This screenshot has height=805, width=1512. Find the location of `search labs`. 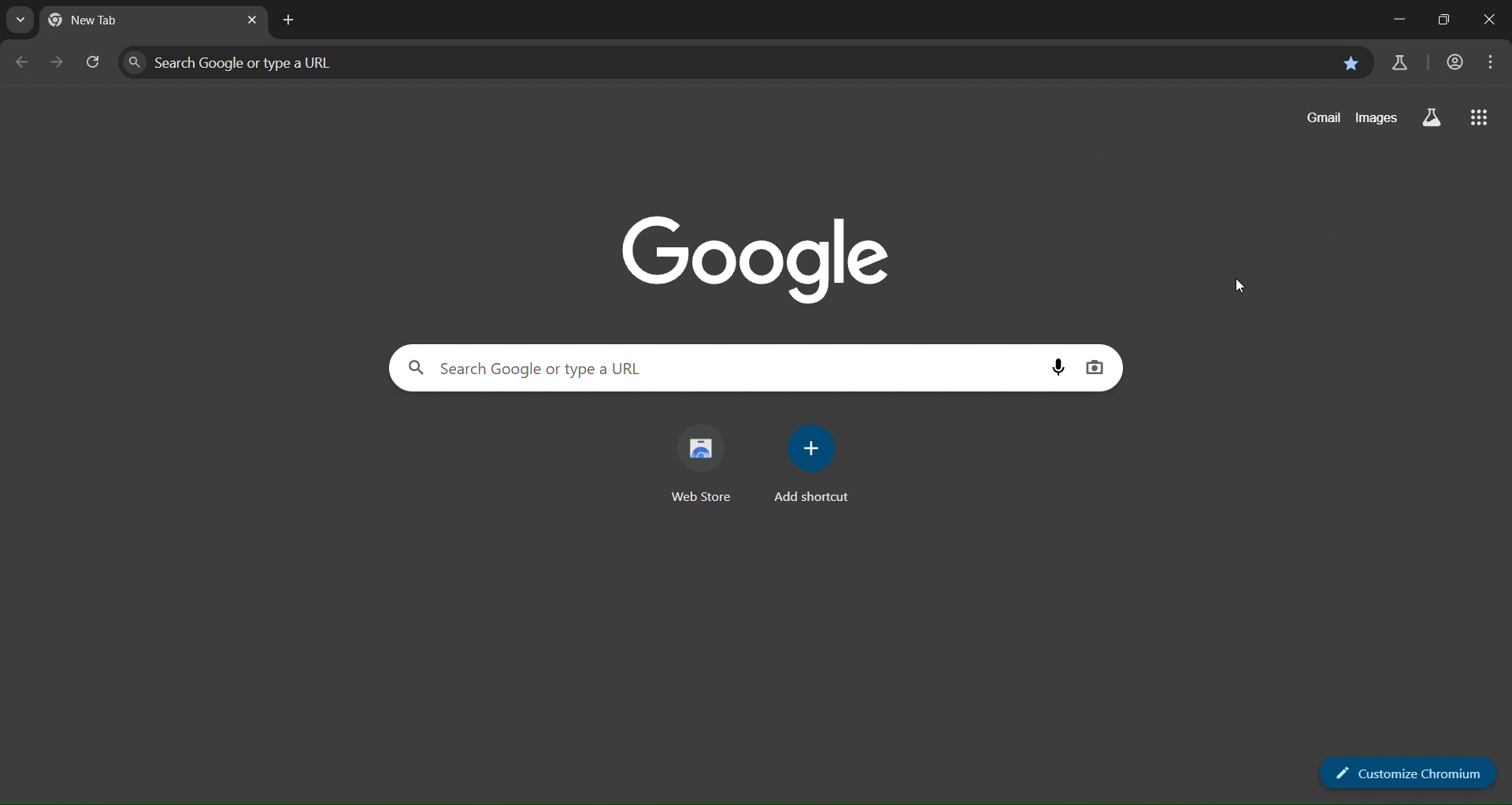

search labs is located at coordinates (1395, 64).